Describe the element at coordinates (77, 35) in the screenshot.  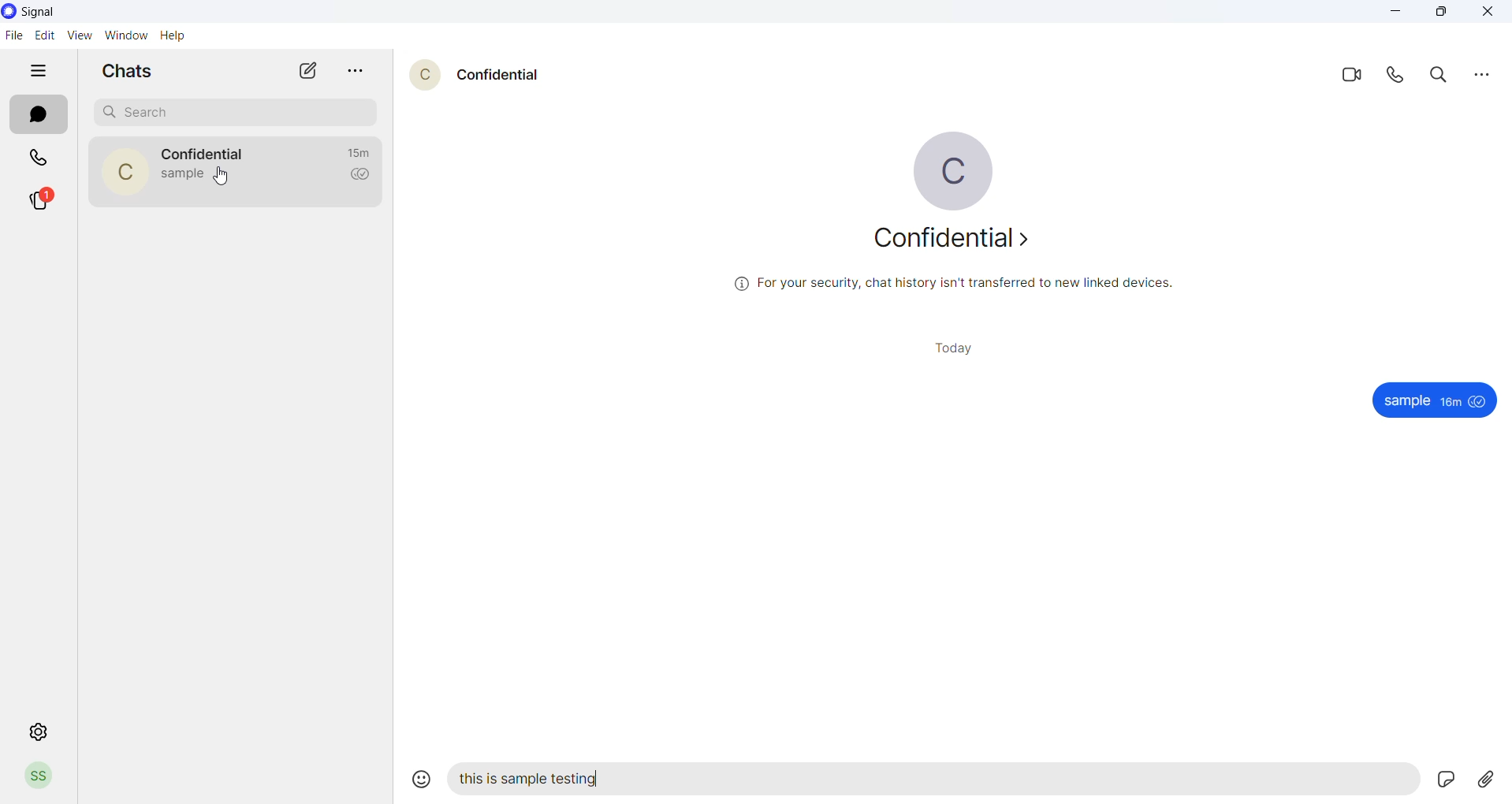
I see `view` at that location.